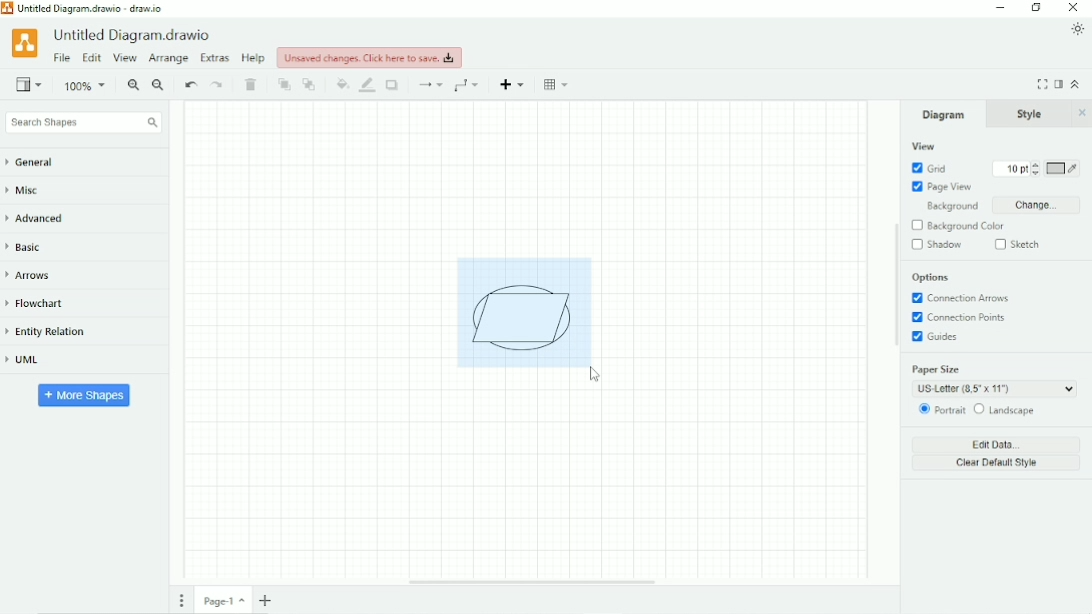 Image resolution: width=1092 pixels, height=614 pixels. I want to click on Current page, so click(224, 600).